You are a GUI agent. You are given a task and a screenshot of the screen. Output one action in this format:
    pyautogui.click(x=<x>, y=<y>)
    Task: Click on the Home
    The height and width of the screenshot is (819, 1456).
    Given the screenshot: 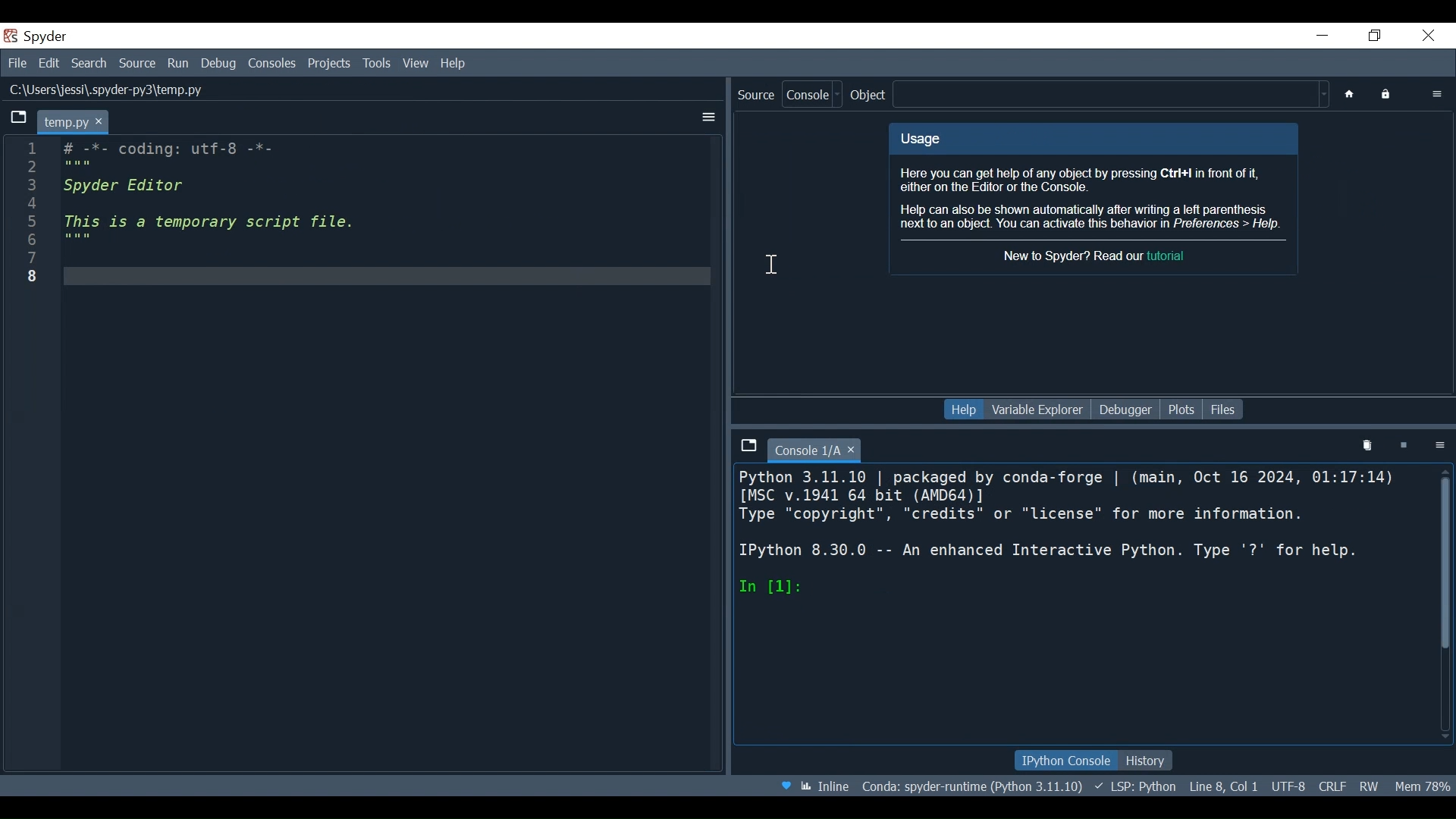 What is the action you would take?
    pyautogui.click(x=1348, y=94)
    